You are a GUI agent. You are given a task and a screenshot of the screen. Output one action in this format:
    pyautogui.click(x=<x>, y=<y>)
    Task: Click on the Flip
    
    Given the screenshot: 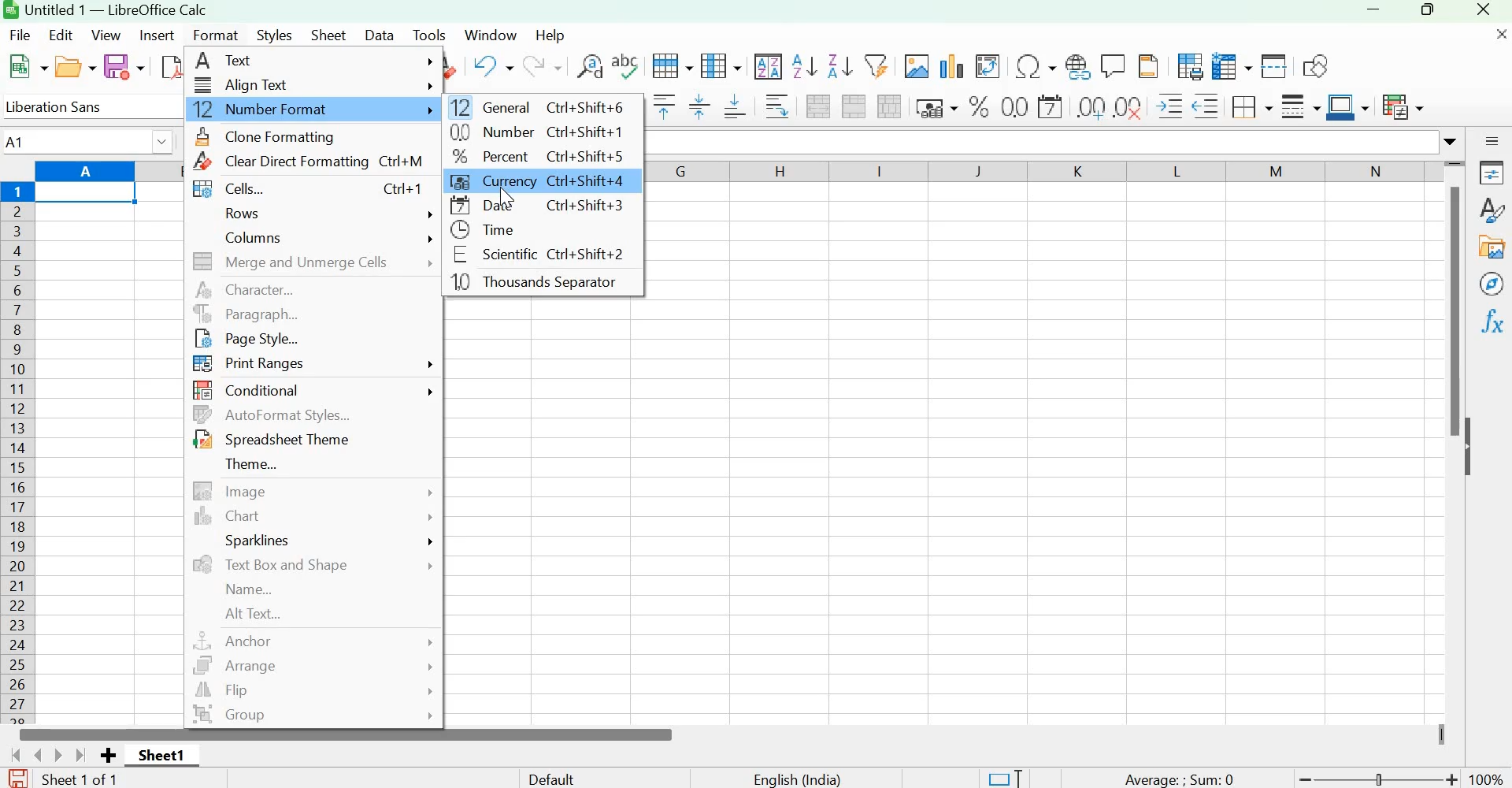 What is the action you would take?
    pyautogui.click(x=314, y=691)
    